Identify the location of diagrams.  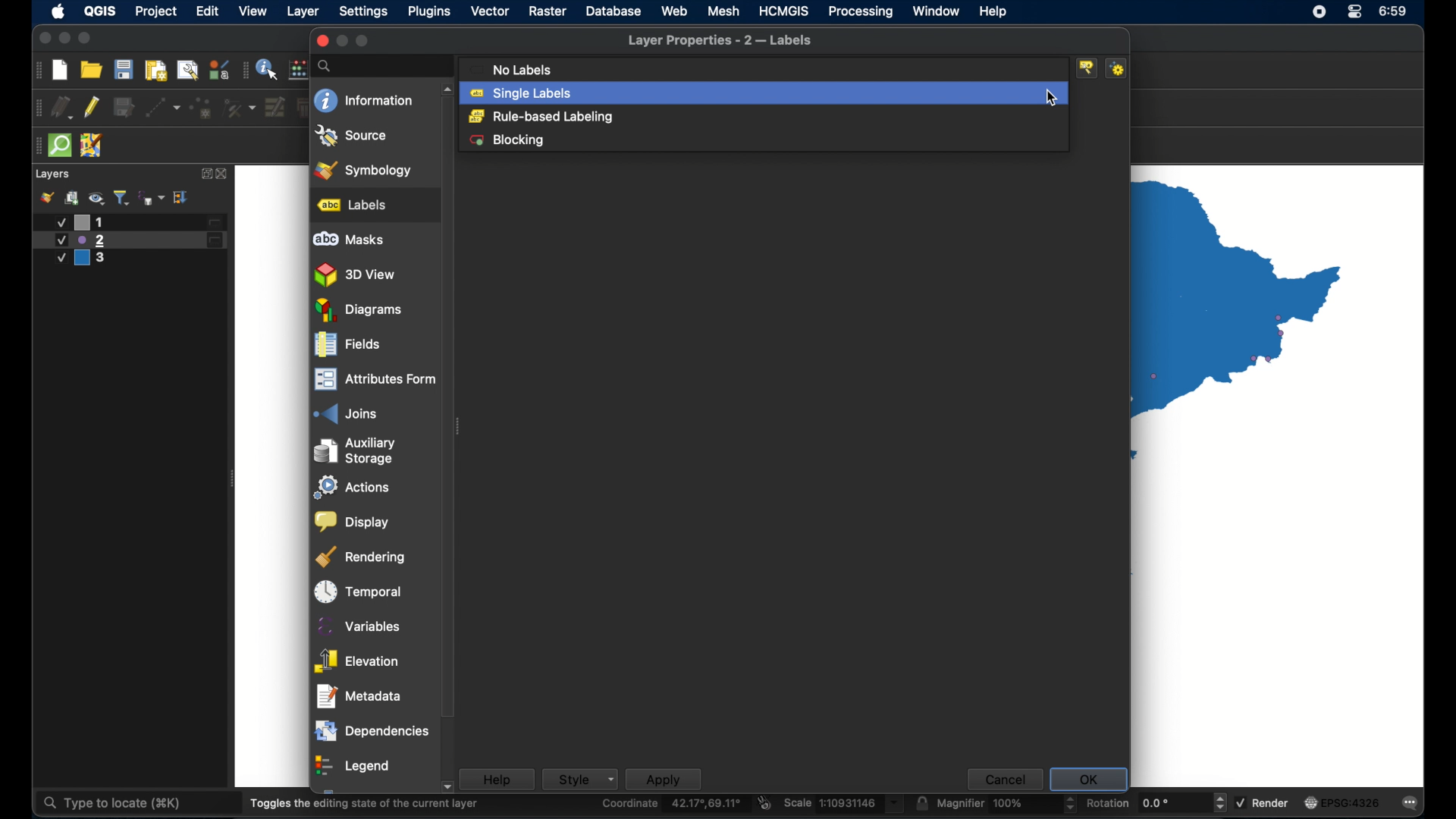
(359, 310).